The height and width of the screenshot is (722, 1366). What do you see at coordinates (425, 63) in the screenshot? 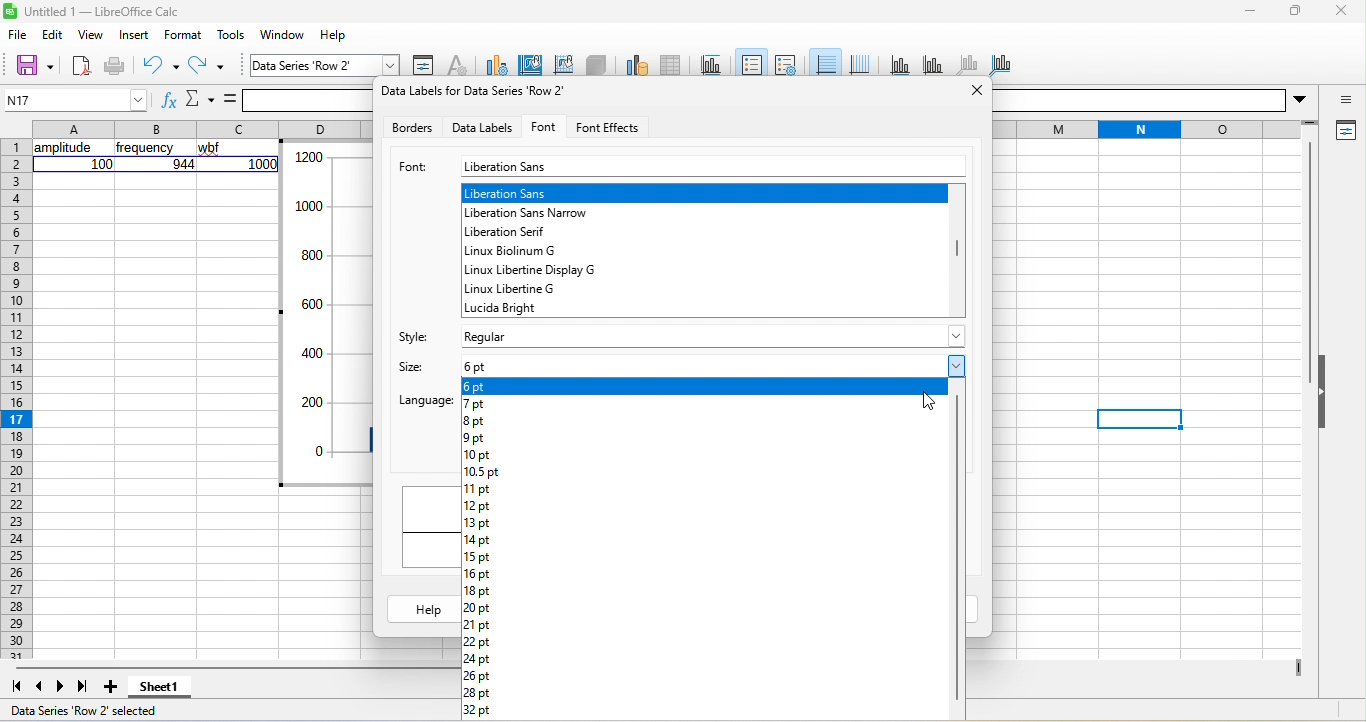
I see `format selection` at bounding box center [425, 63].